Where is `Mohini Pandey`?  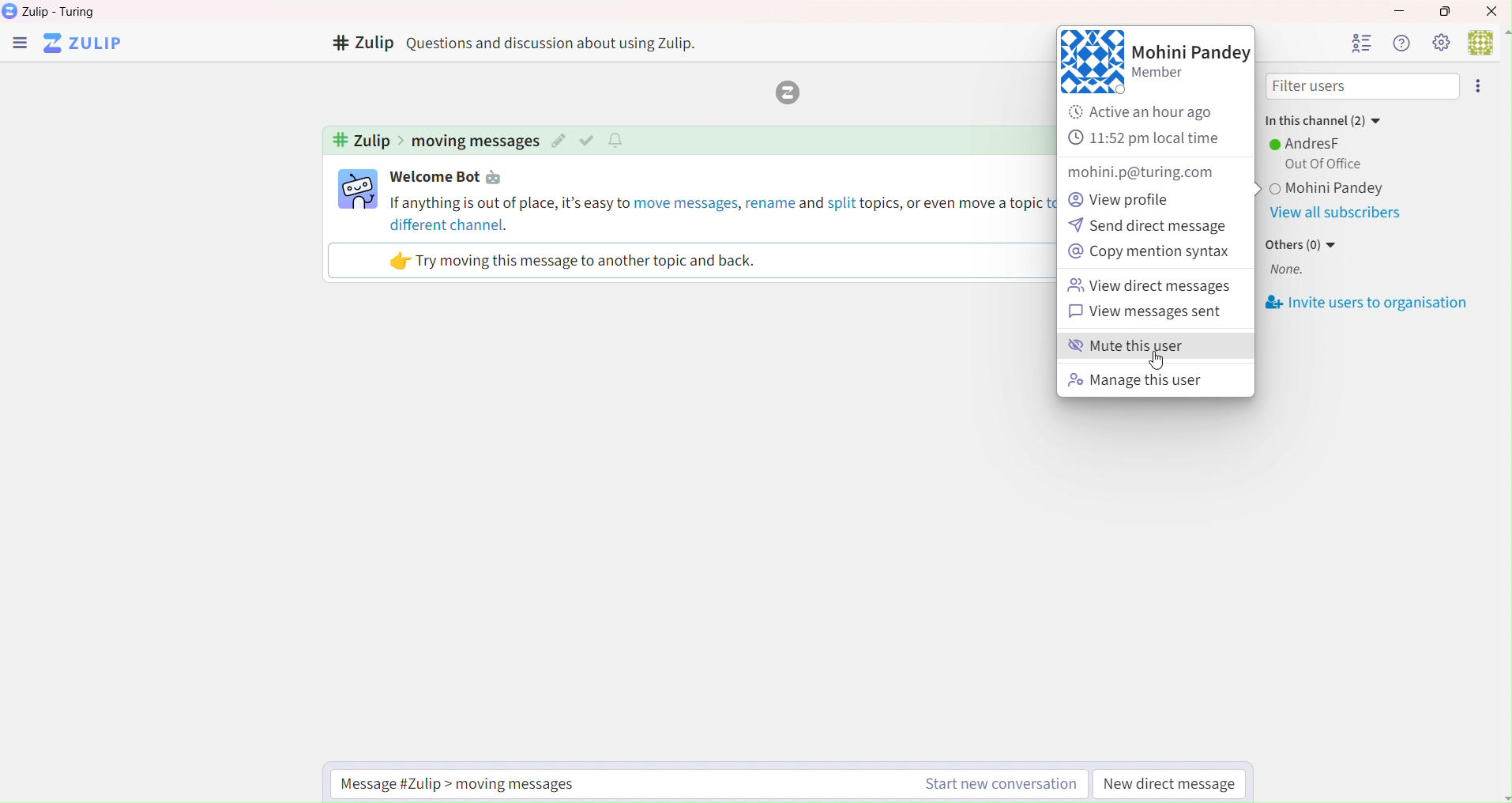
Mohini Pandey is located at coordinates (1191, 52).